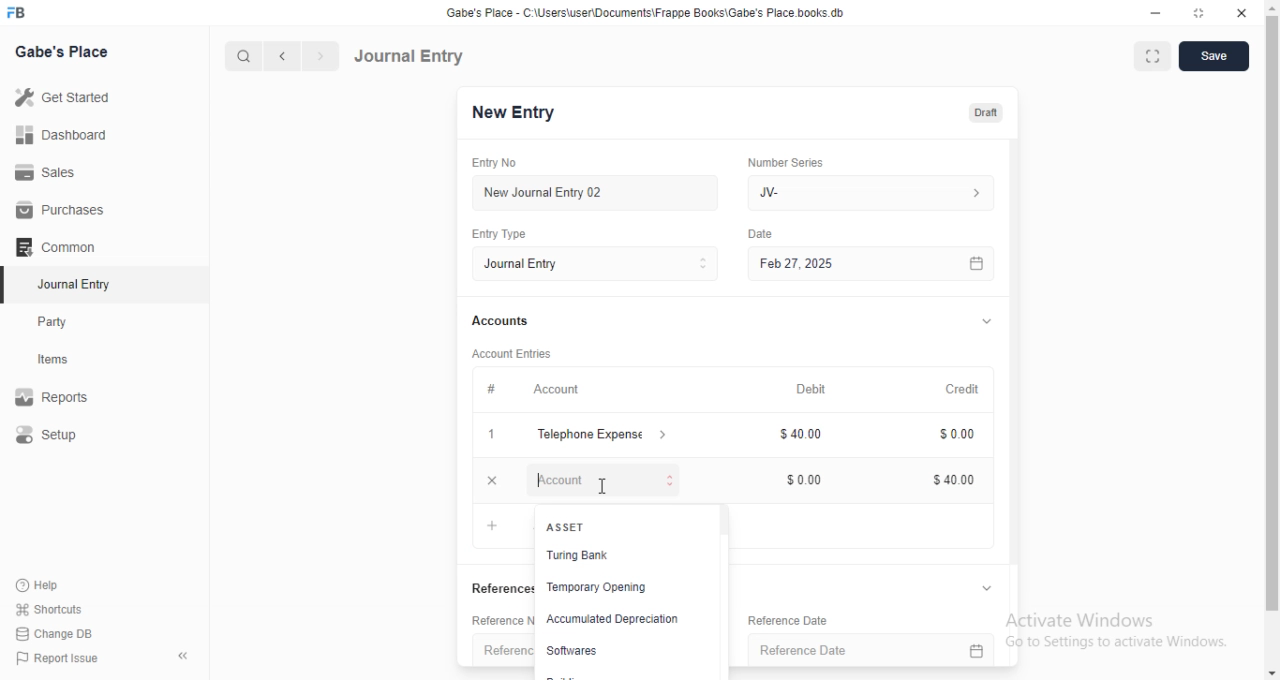  I want to click on FB, so click(19, 11).